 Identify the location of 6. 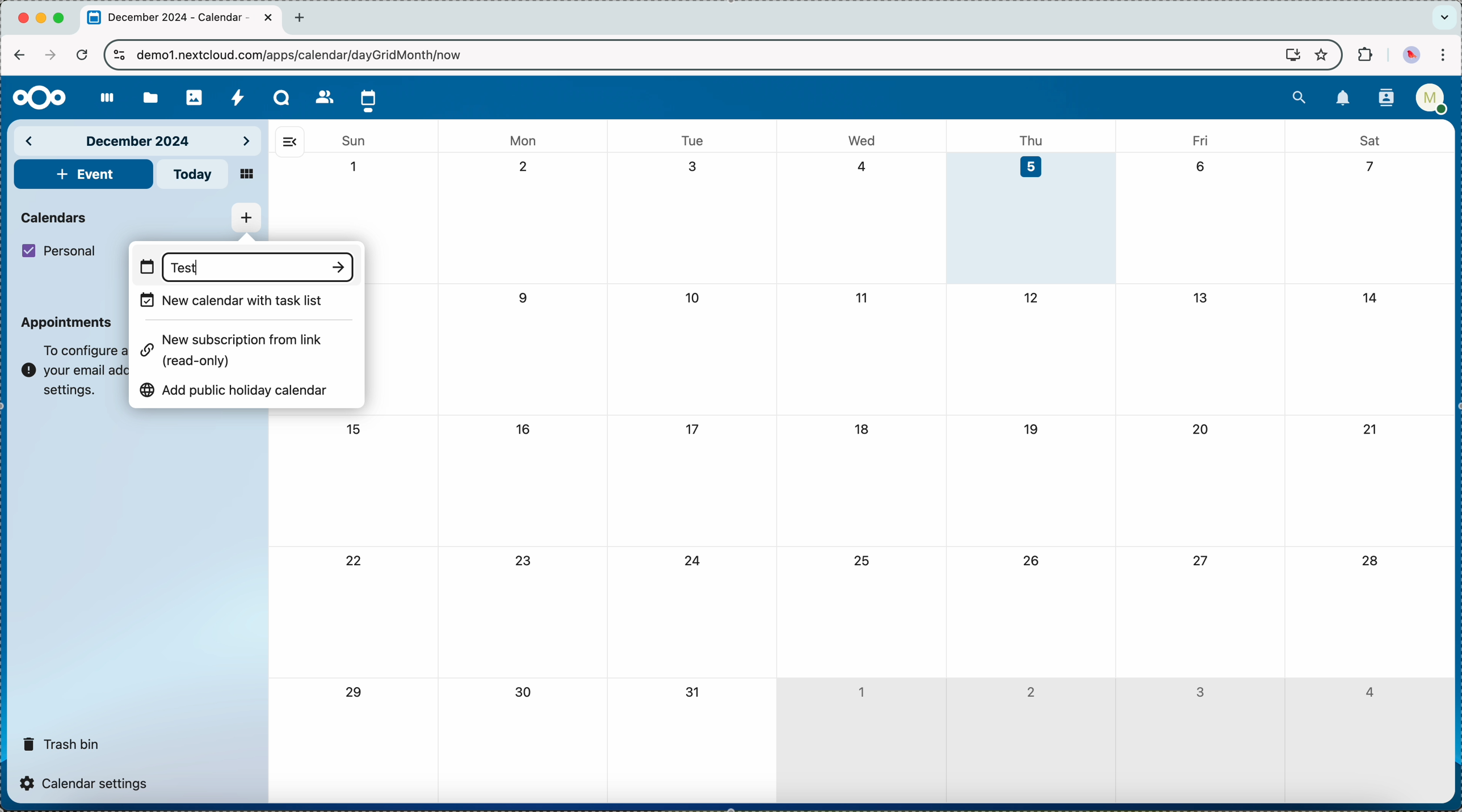
(1200, 165).